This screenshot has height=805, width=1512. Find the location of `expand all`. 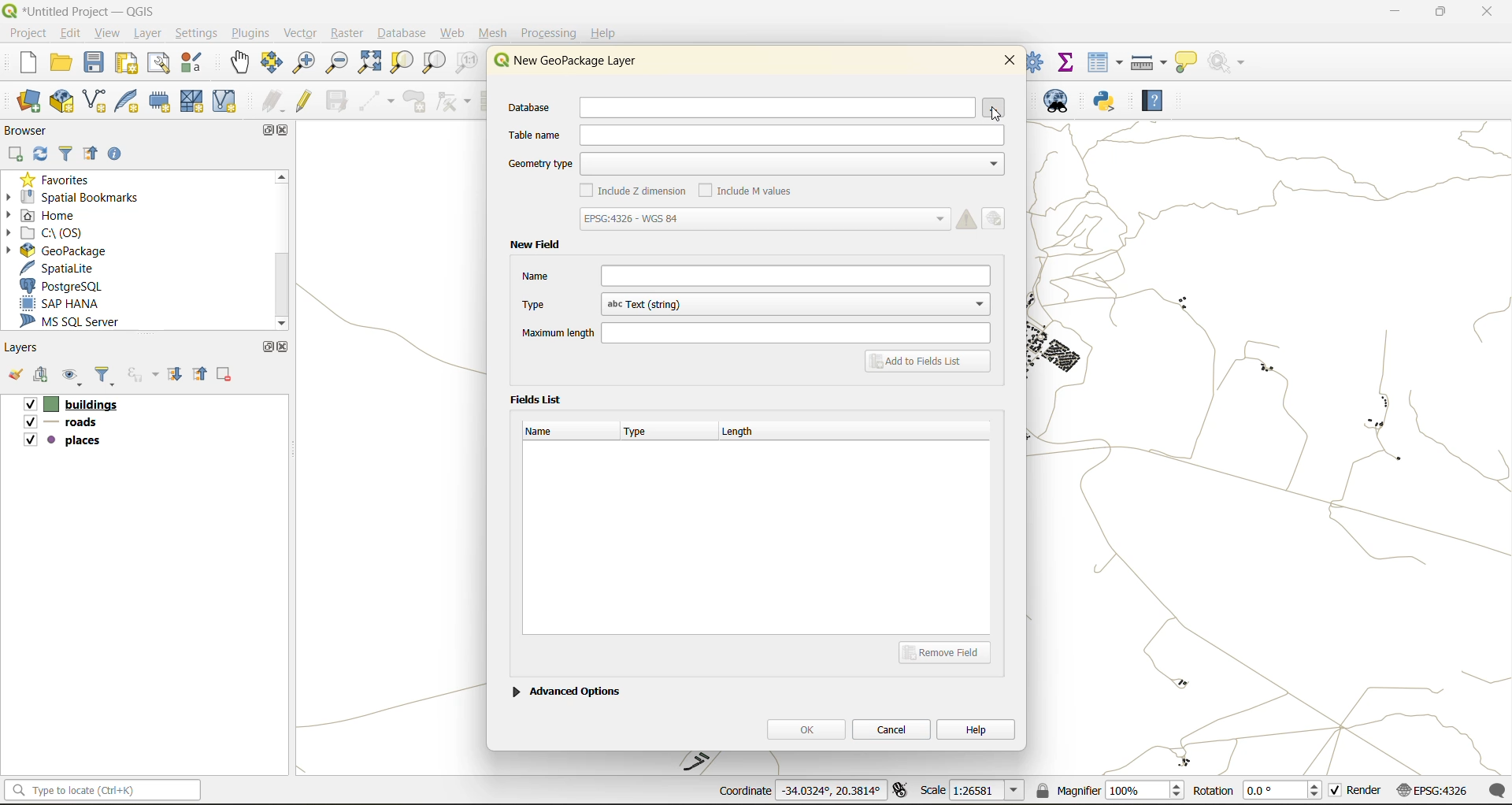

expand all is located at coordinates (177, 375).